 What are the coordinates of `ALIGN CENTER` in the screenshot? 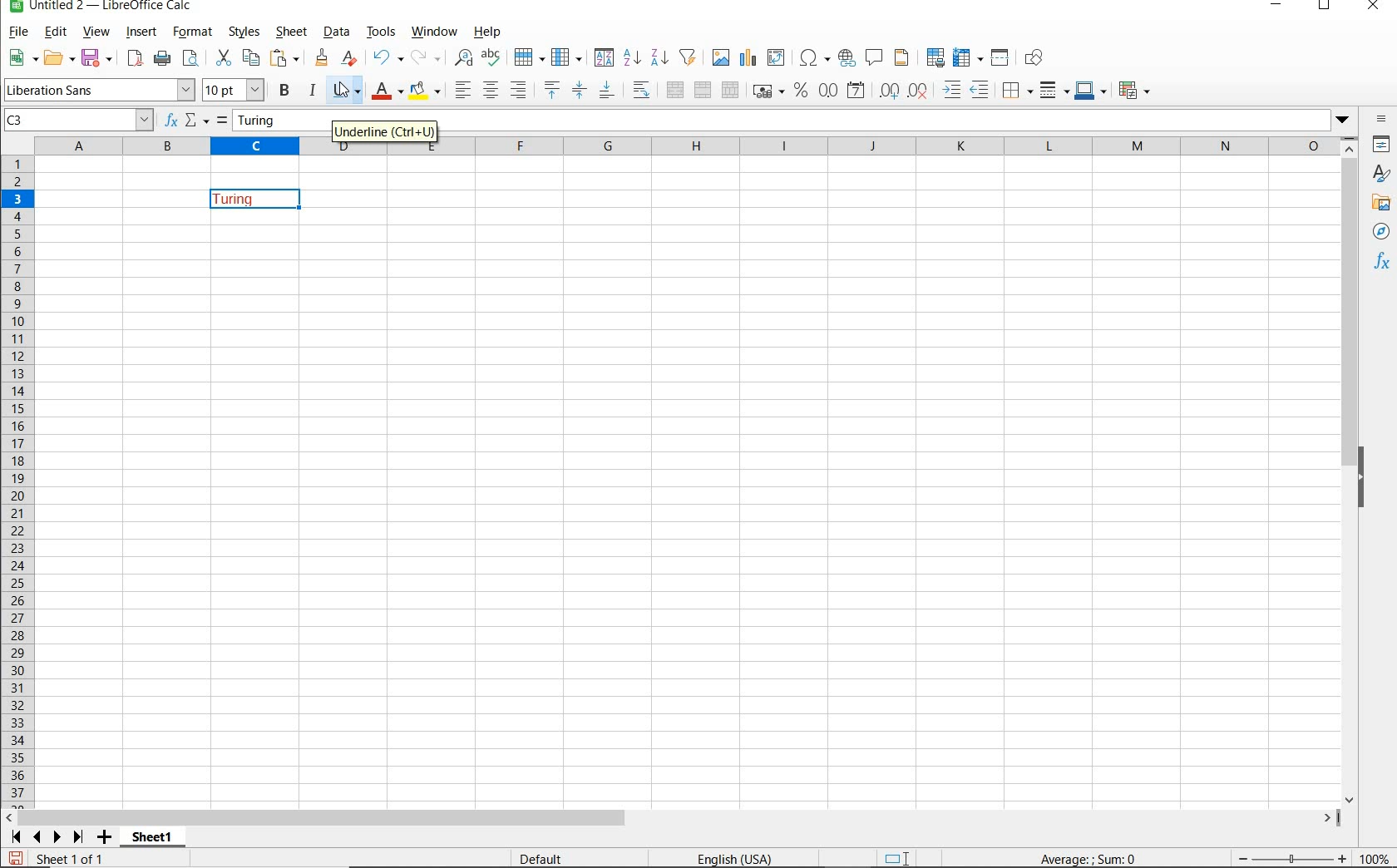 It's located at (491, 91).